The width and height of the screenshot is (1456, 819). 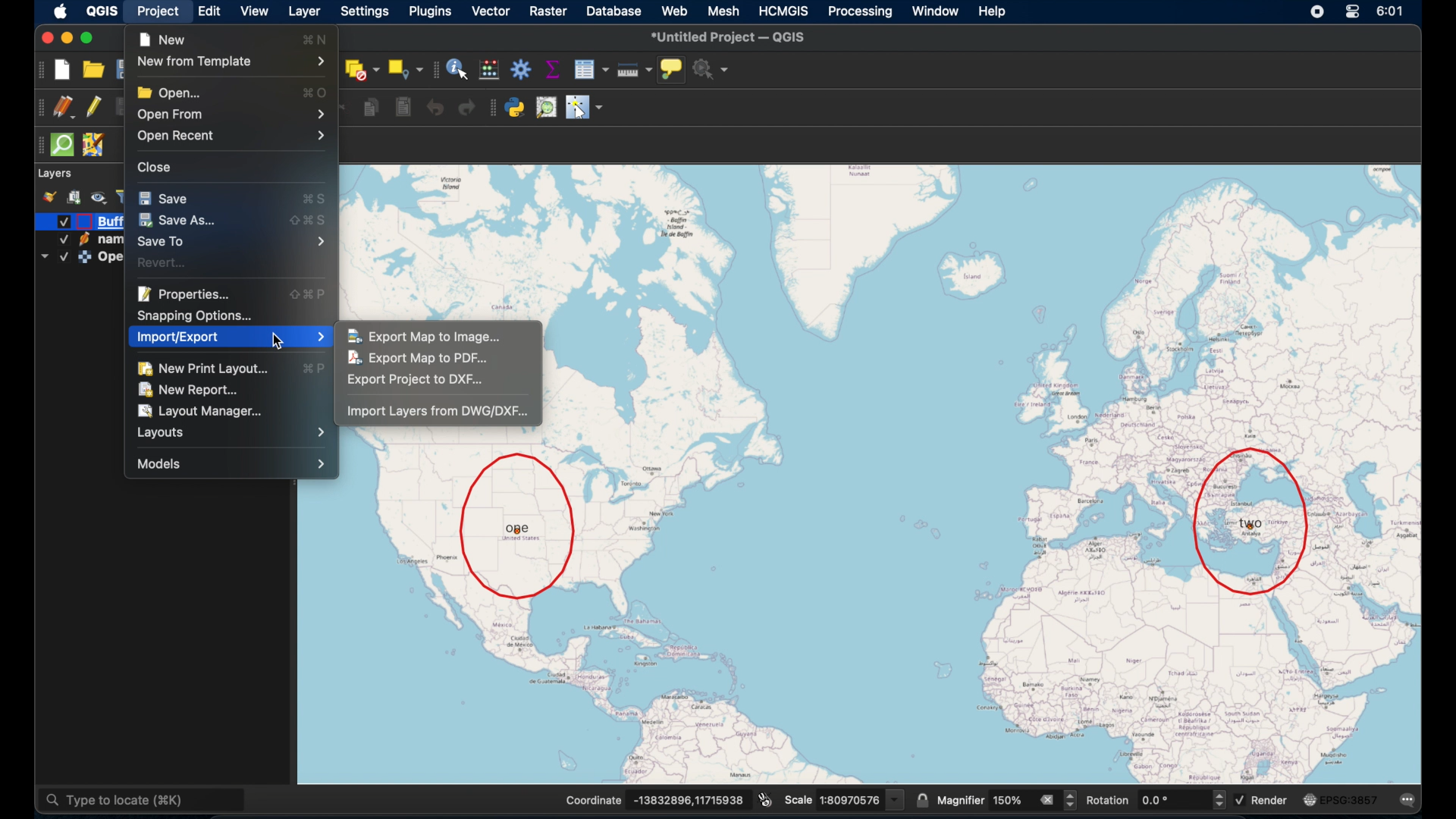 I want to click on magnifier value, so click(x=1009, y=799).